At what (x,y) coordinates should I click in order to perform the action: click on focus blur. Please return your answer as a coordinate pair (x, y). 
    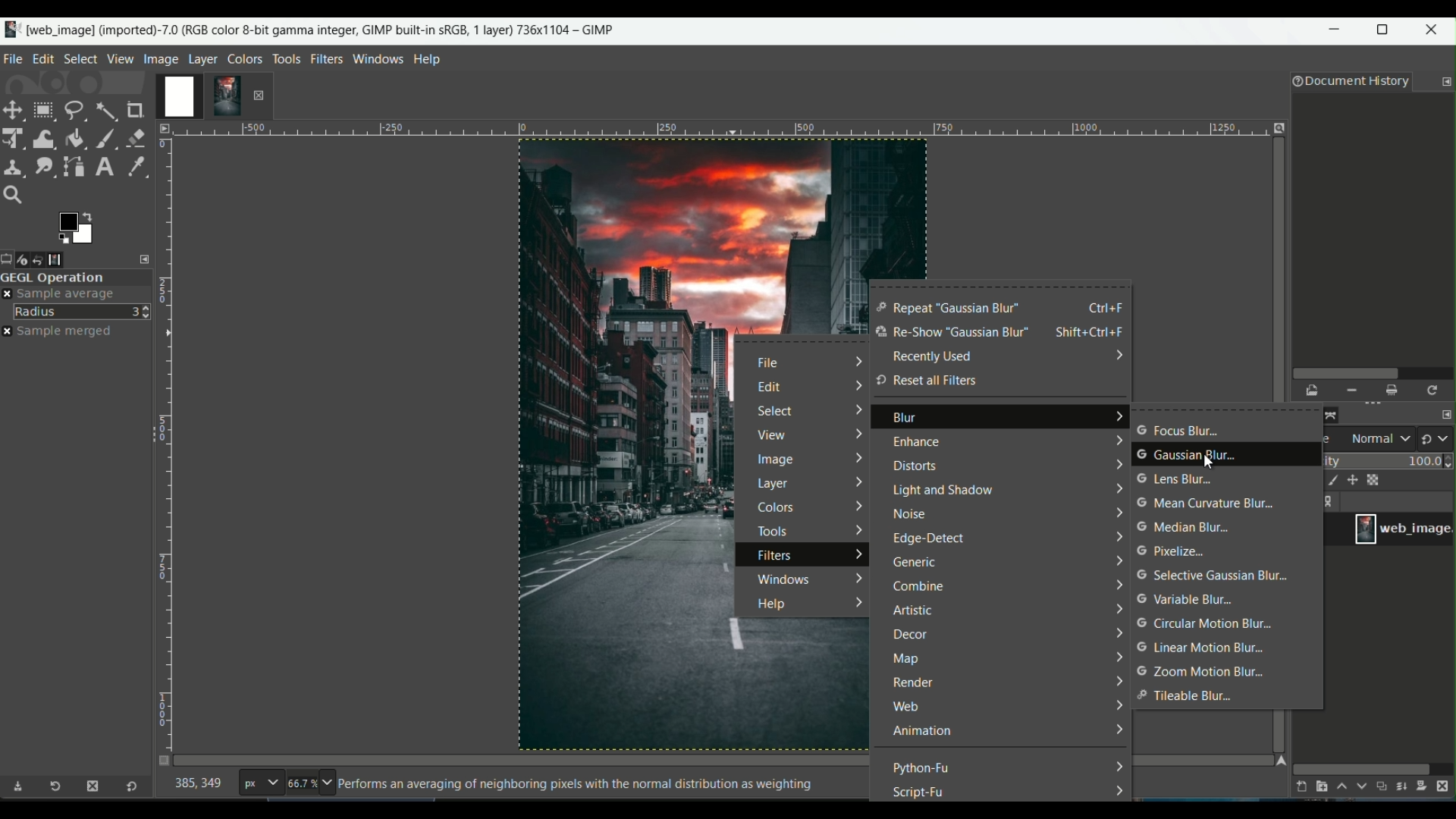
    Looking at the image, I should click on (1178, 431).